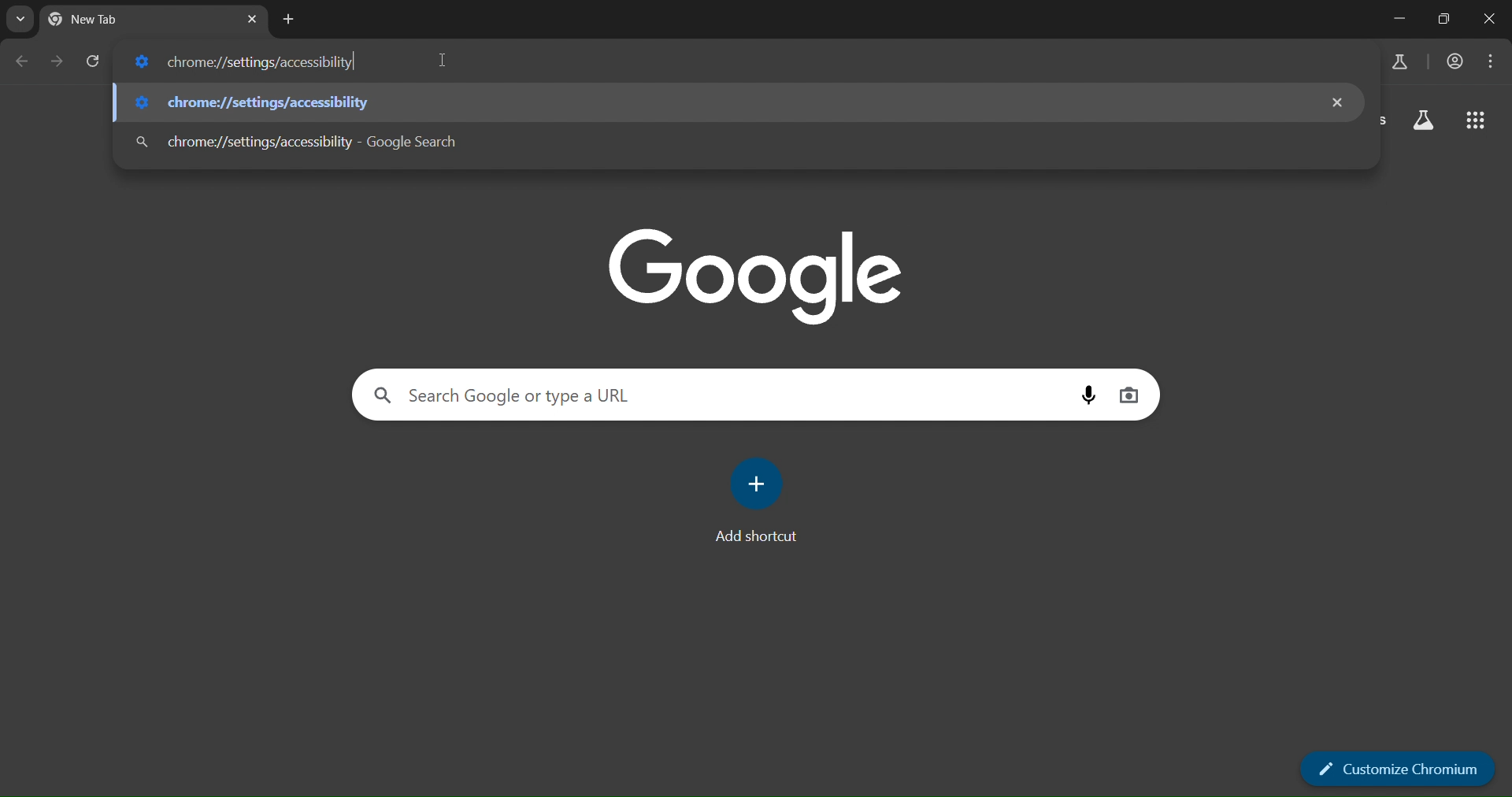 This screenshot has width=1512, height=797. What do you see at coordinates (1423, 120) in the screenshot?
I see `search labs` at bounding box center [1423, 120].